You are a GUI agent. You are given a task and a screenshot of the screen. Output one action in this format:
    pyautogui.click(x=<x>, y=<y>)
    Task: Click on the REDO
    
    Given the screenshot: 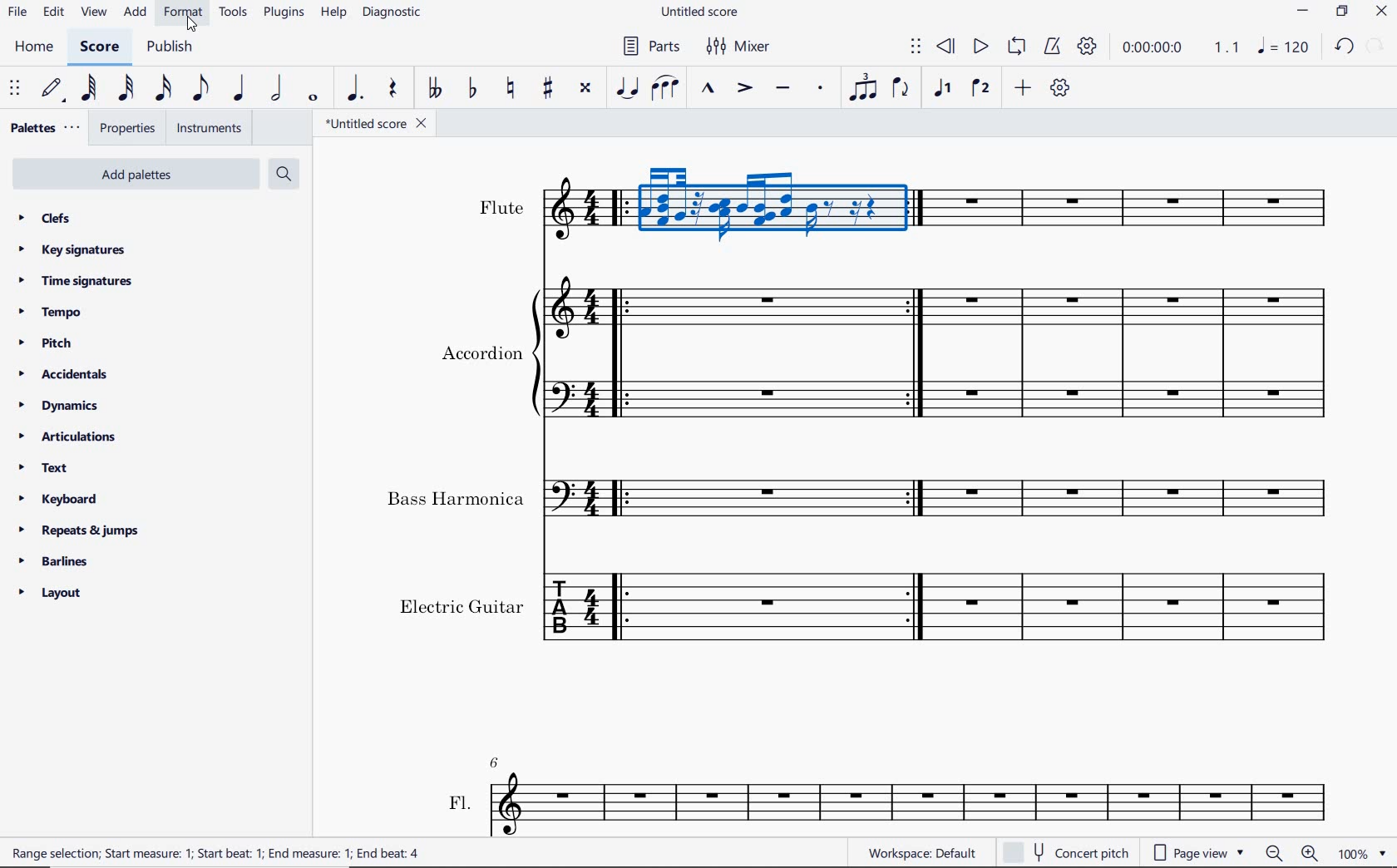 What is the action you would take?
    pyautogui.click(x=1376, y=47)
    